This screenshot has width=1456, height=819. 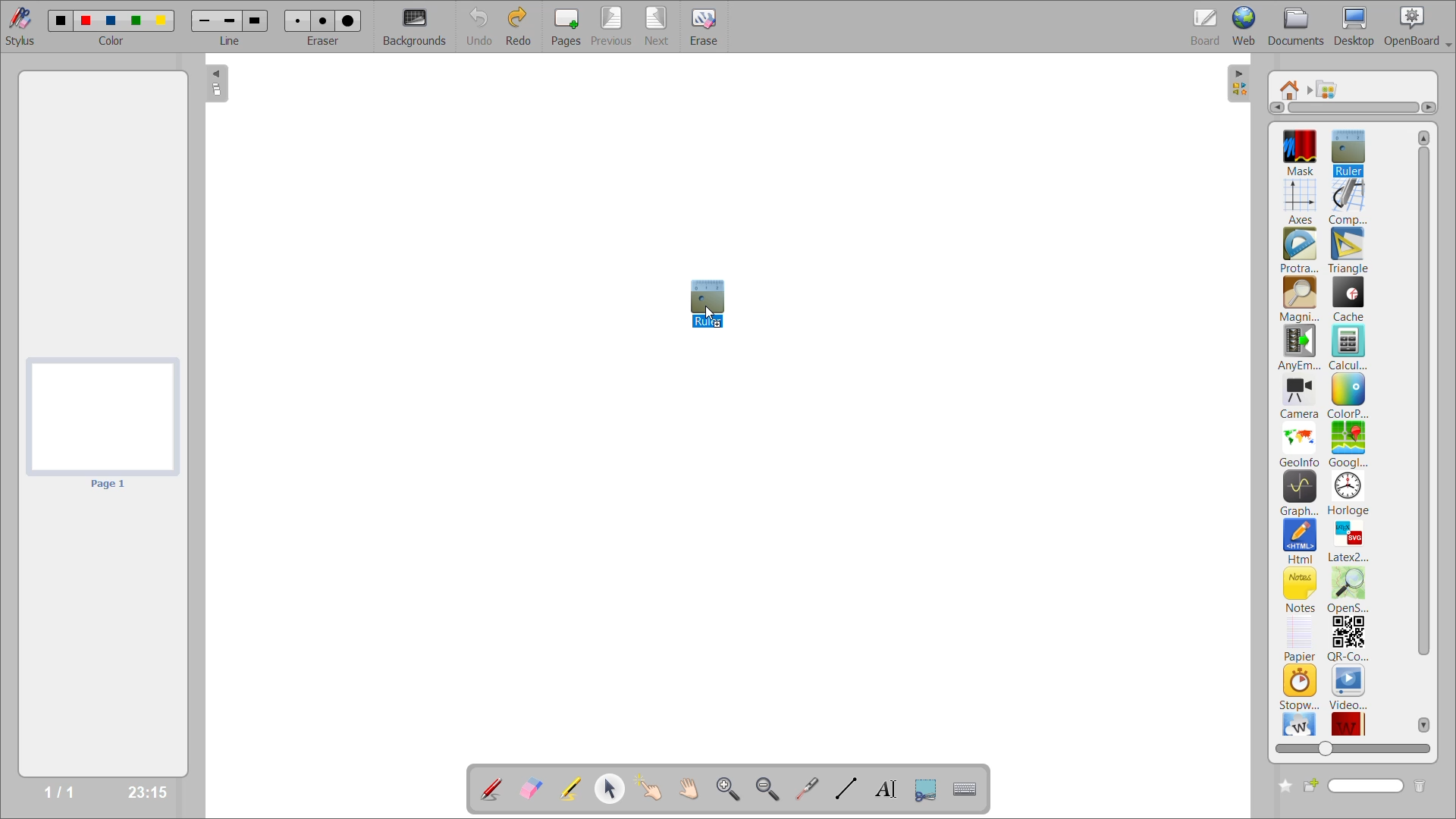 I want to click on draw lines, so click(x=844, y=788).